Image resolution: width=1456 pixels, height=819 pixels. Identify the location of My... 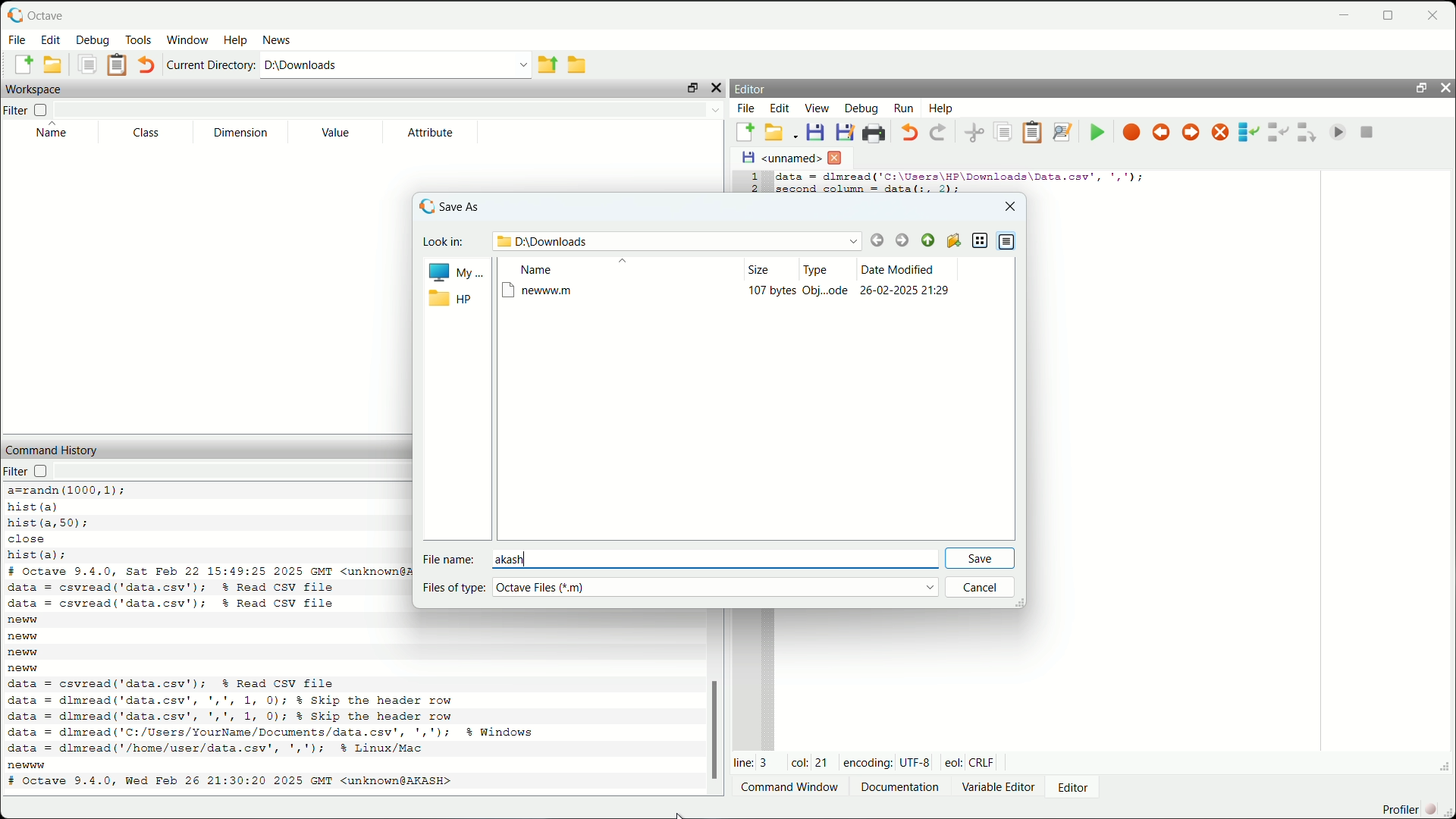
(452, 271).